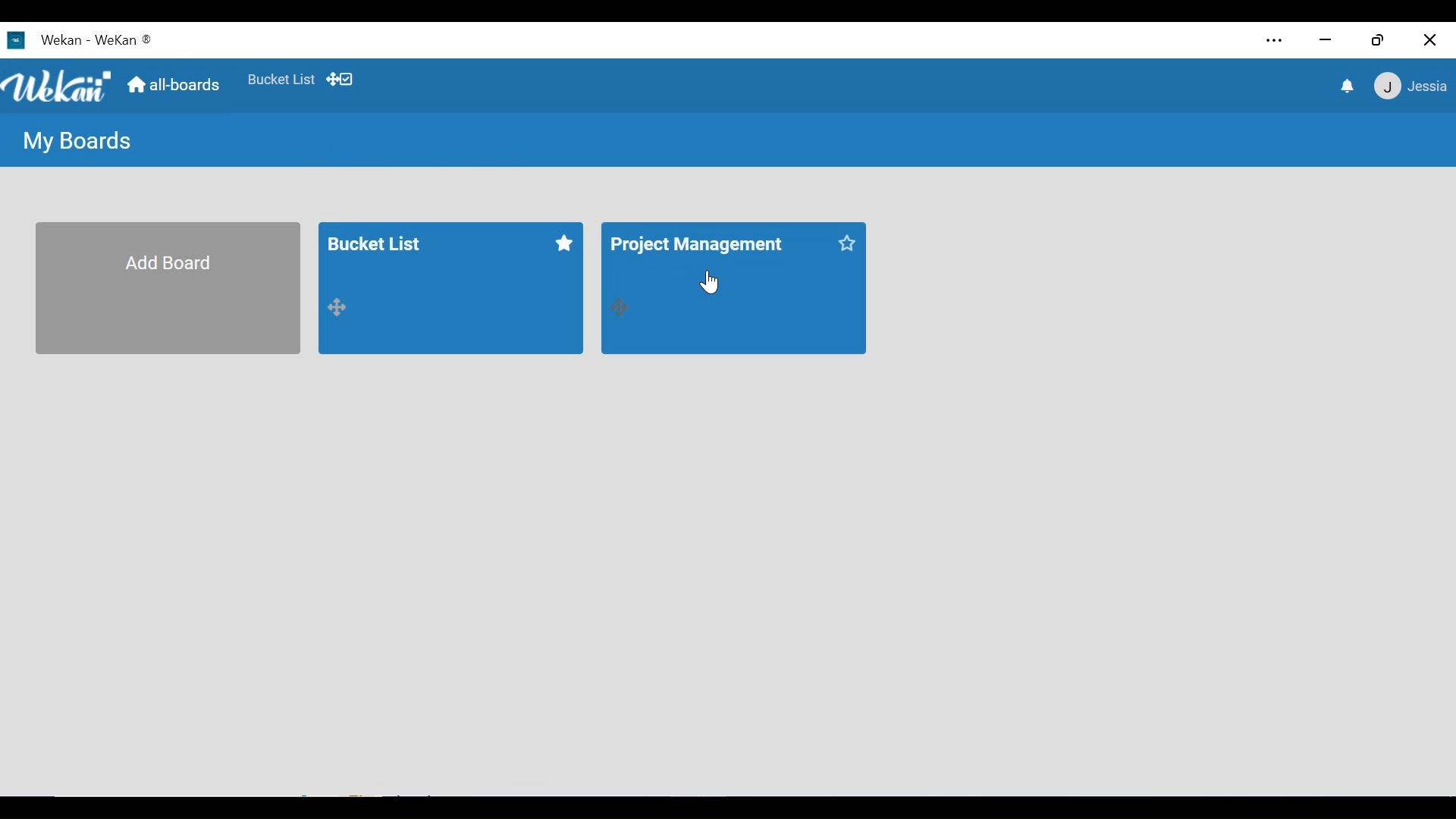 Image resolution: width=1456 pixels, height=819 pixels. What do you see at coordinates (1275, 42) in the screenshot?
I see `Settings and more` at bounding box center [1275, 42].